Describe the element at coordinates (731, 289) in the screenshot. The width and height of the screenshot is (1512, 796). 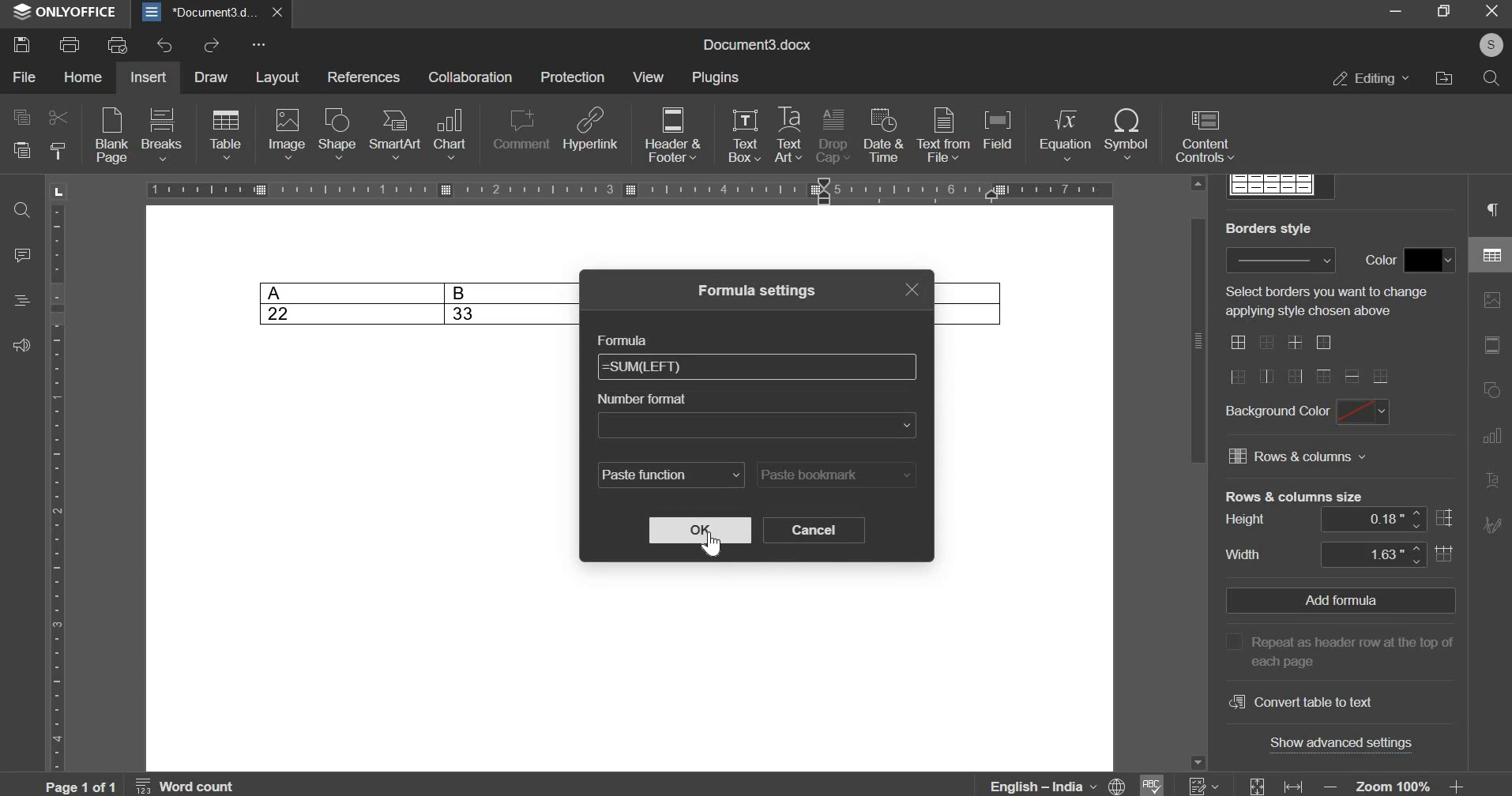
I see `formula settings` at that location.